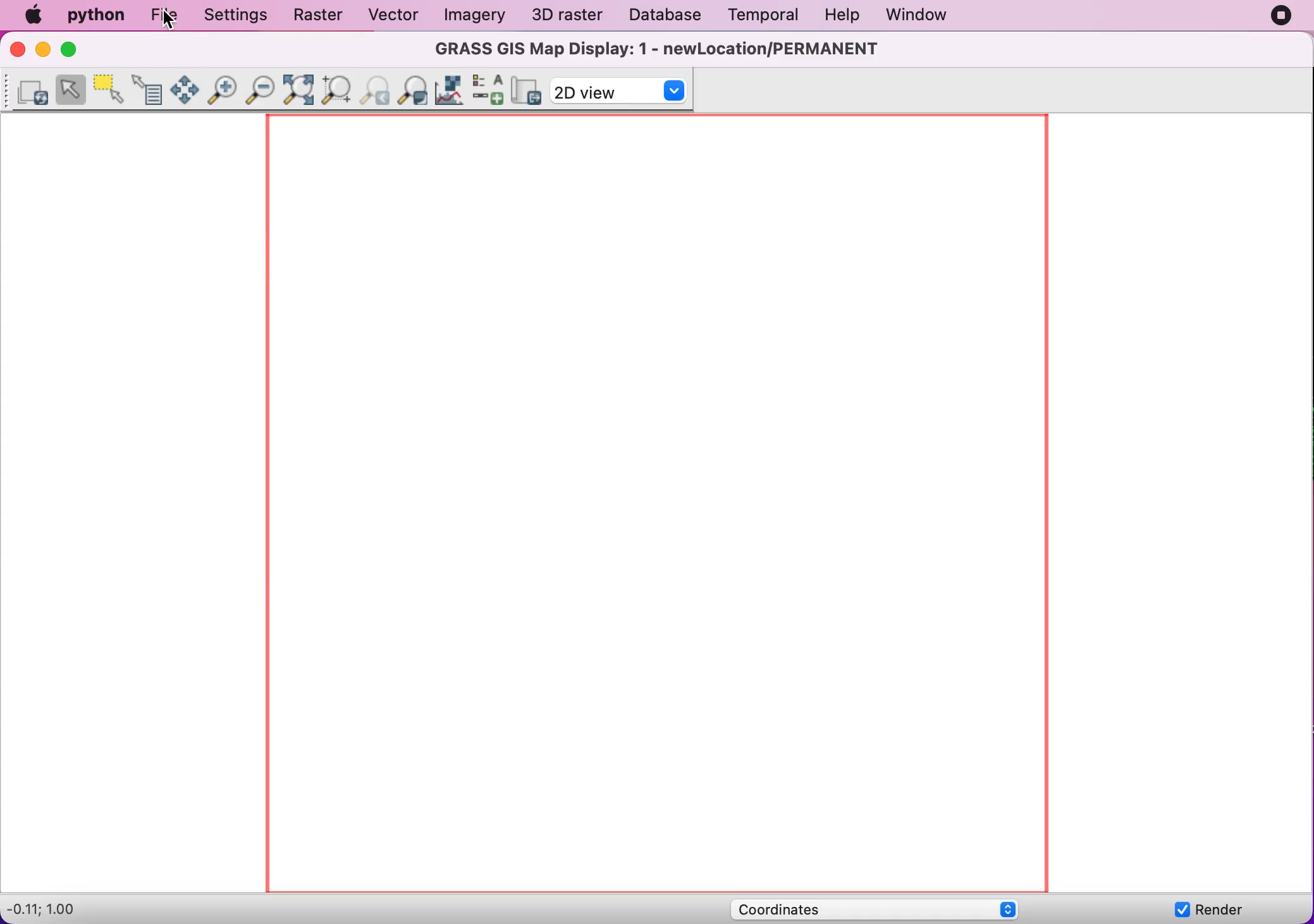  What do you see at coordinates (621, 92) in the screenshot?
I see `2d view` at bounding box center [621, 92].